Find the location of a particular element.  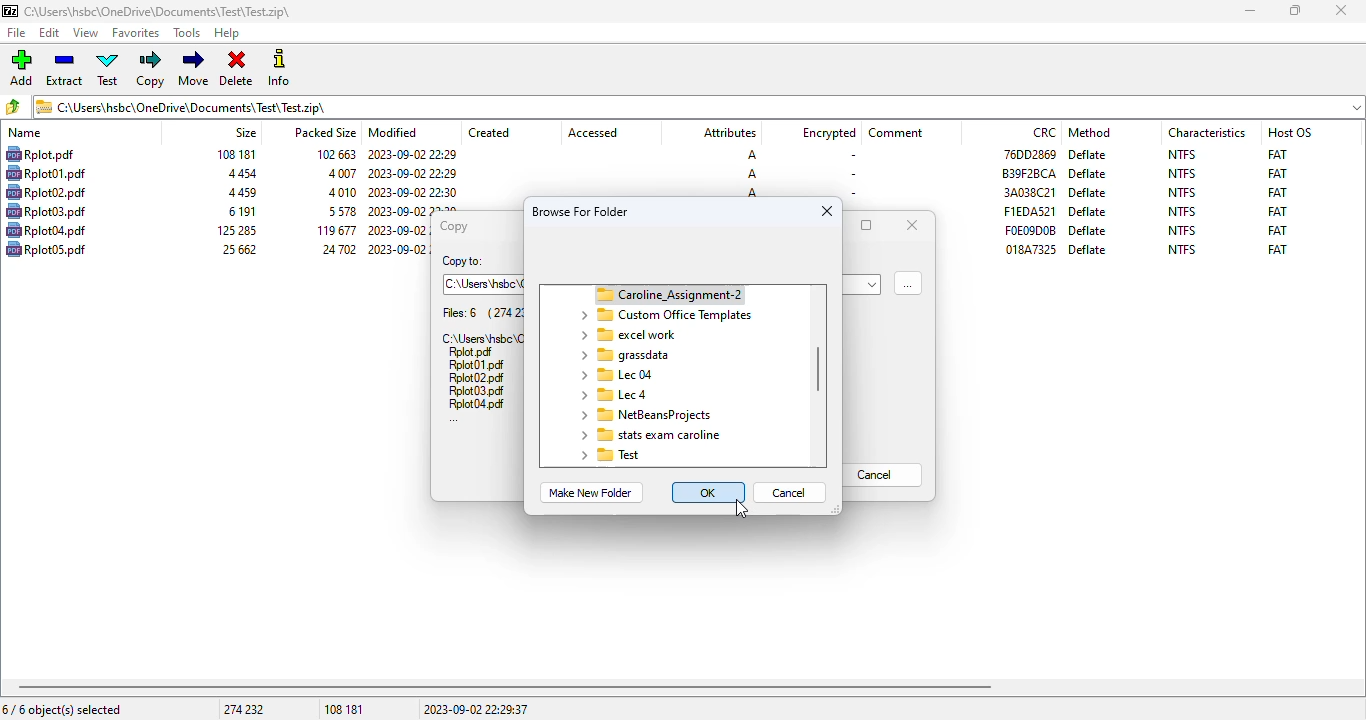

NTFS is located at coordinates (1182, 174).